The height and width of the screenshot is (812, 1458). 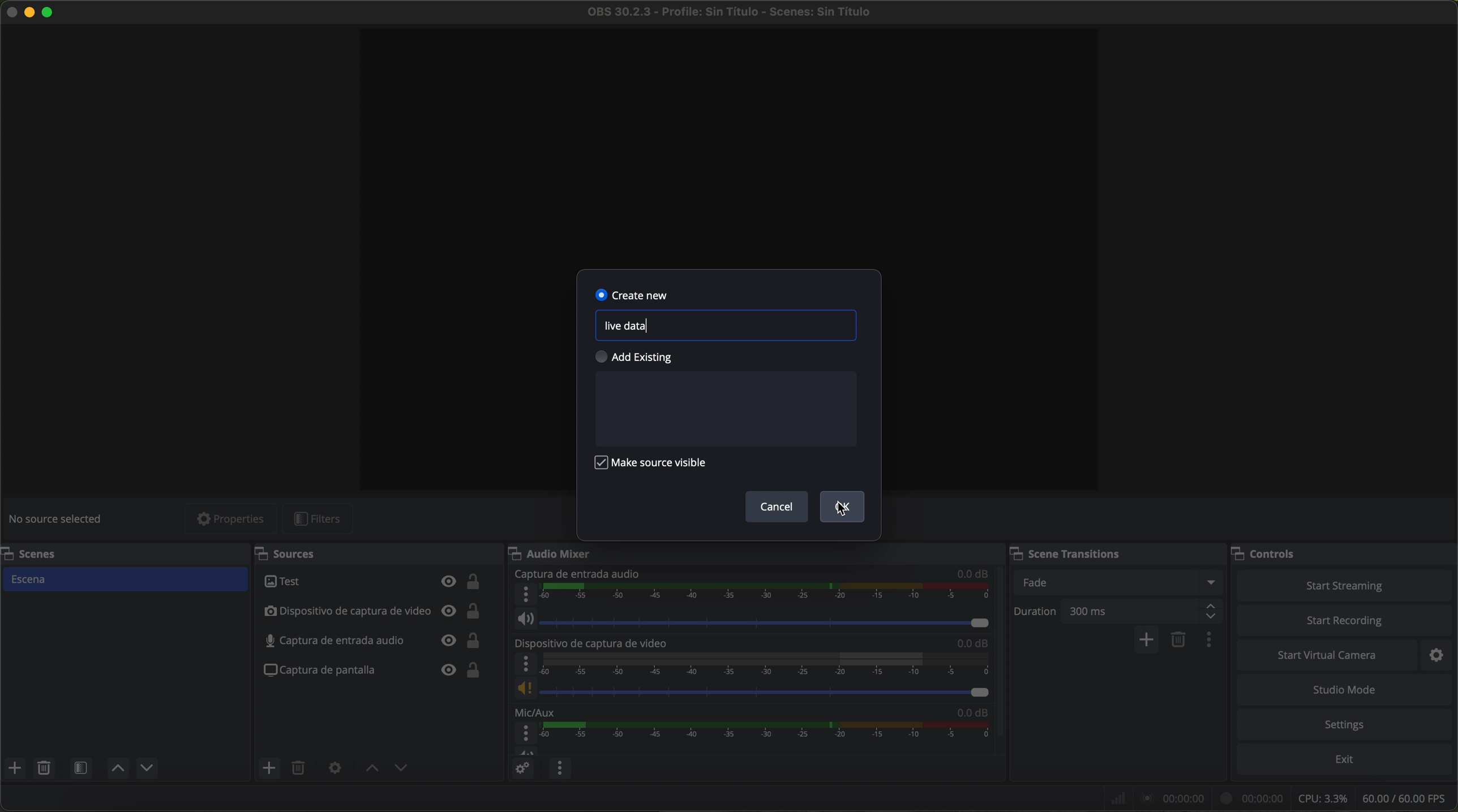 What do you see at coordinates (44, 768) in the screenshot?
I see `remove selected scenes` at bounding box center [44, 768].